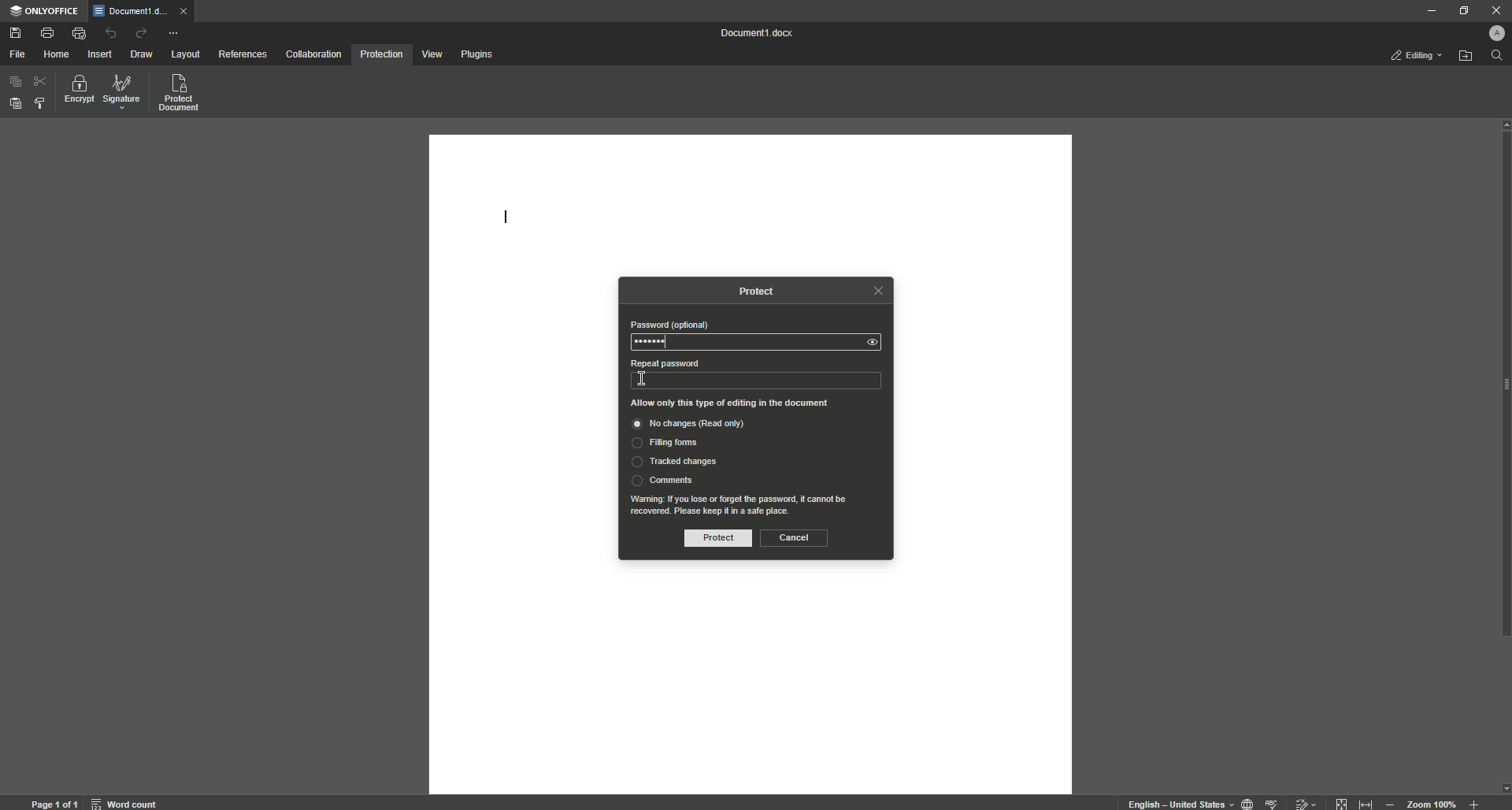 Image resolution: width=1512 pixels, height=810 pixels. I want to click on Print, so click(47, 32).